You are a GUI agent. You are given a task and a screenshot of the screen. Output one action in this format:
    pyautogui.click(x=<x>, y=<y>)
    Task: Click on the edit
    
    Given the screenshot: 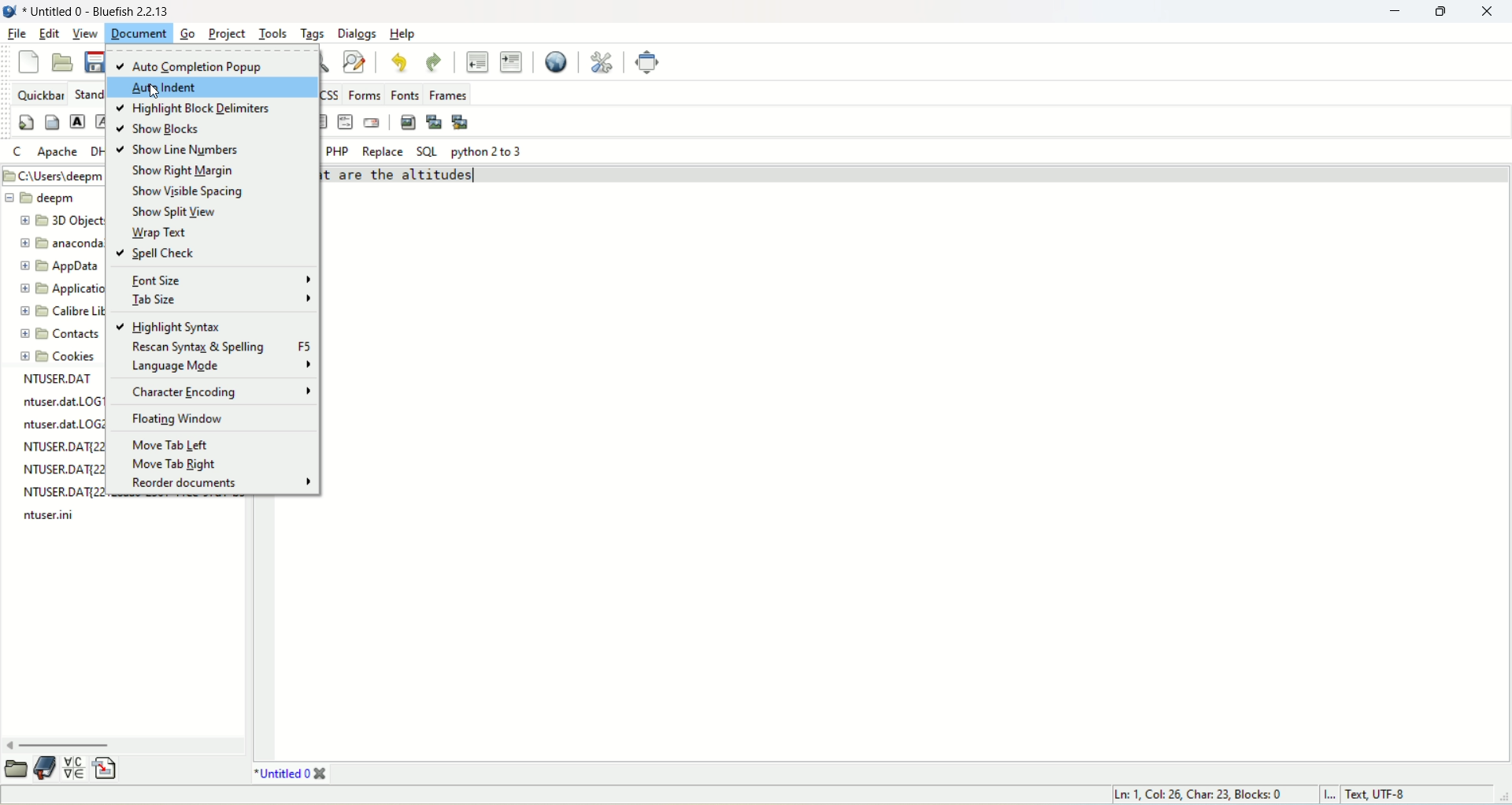 What is the action you would take?
    pyautogui.click(x=48, y=35)
    